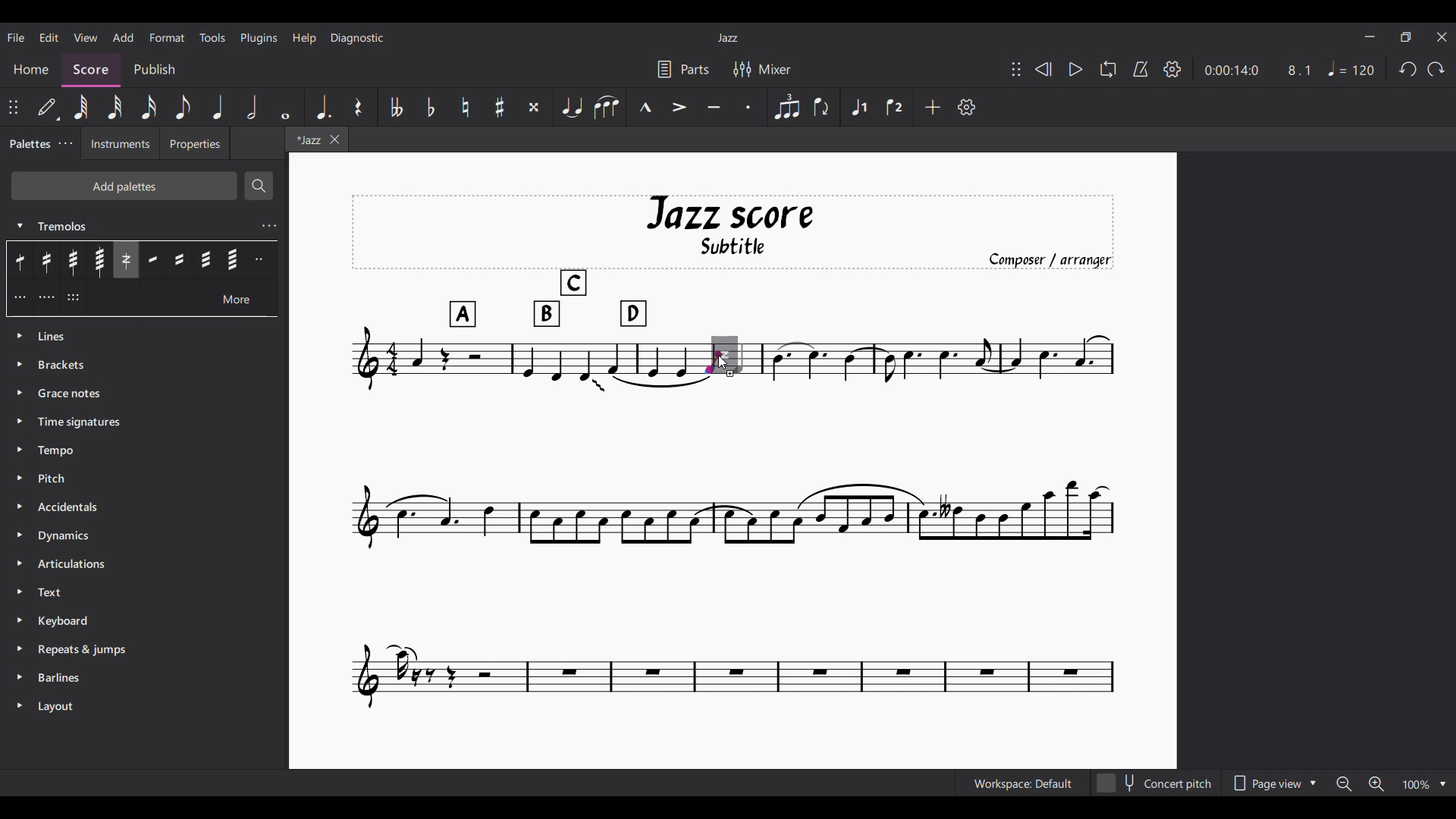 Image resolution: width=1456 pixels, height=819 pixels. What do you see at coordinates (1424, 783) in the screenshot?
I see `Zoom options` at bounding box center [1424, 783].